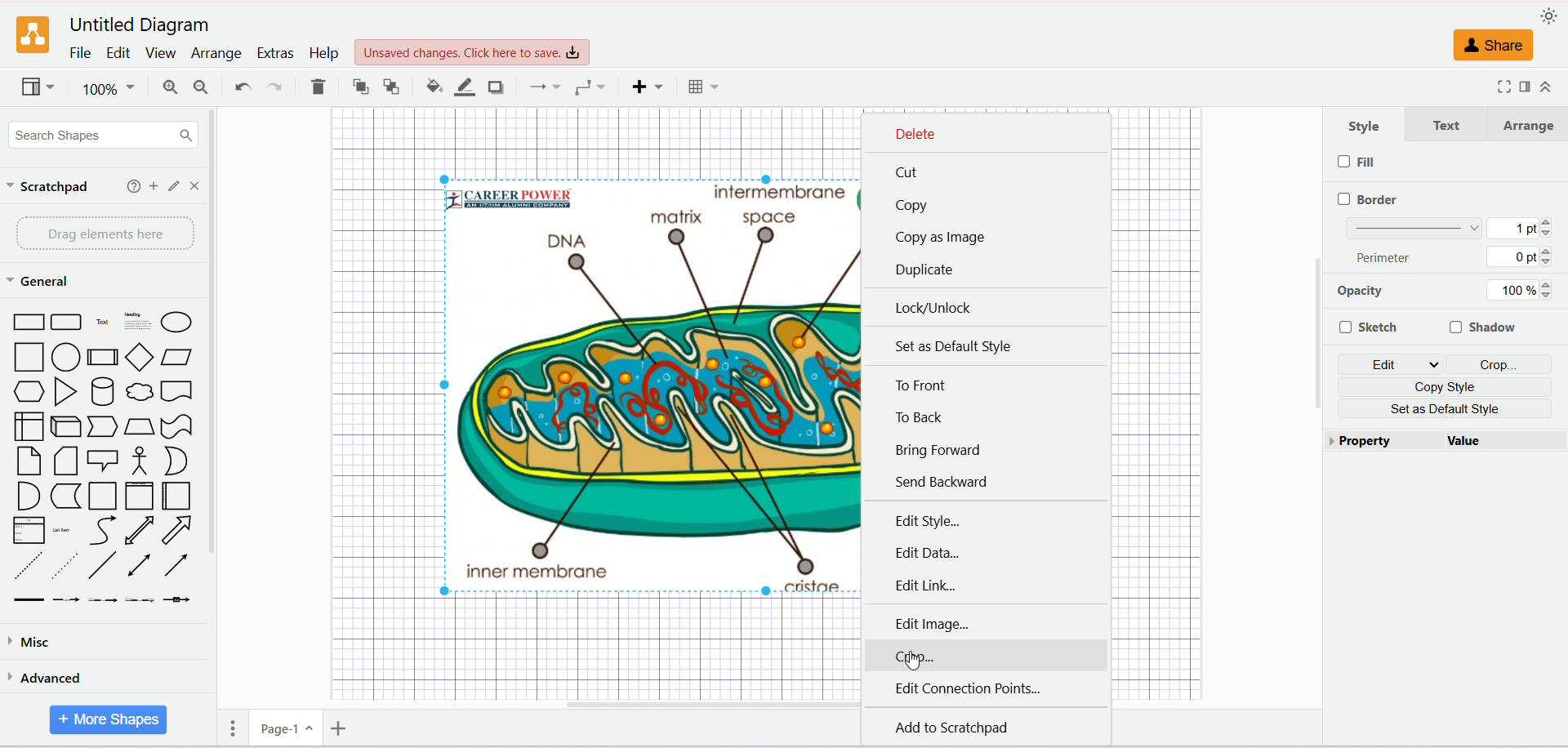 The height and width of the screenshot is (748, 1568). Describe the element at coordinates (969, 689) in the screenshot. I see `edit connection points` at that location.